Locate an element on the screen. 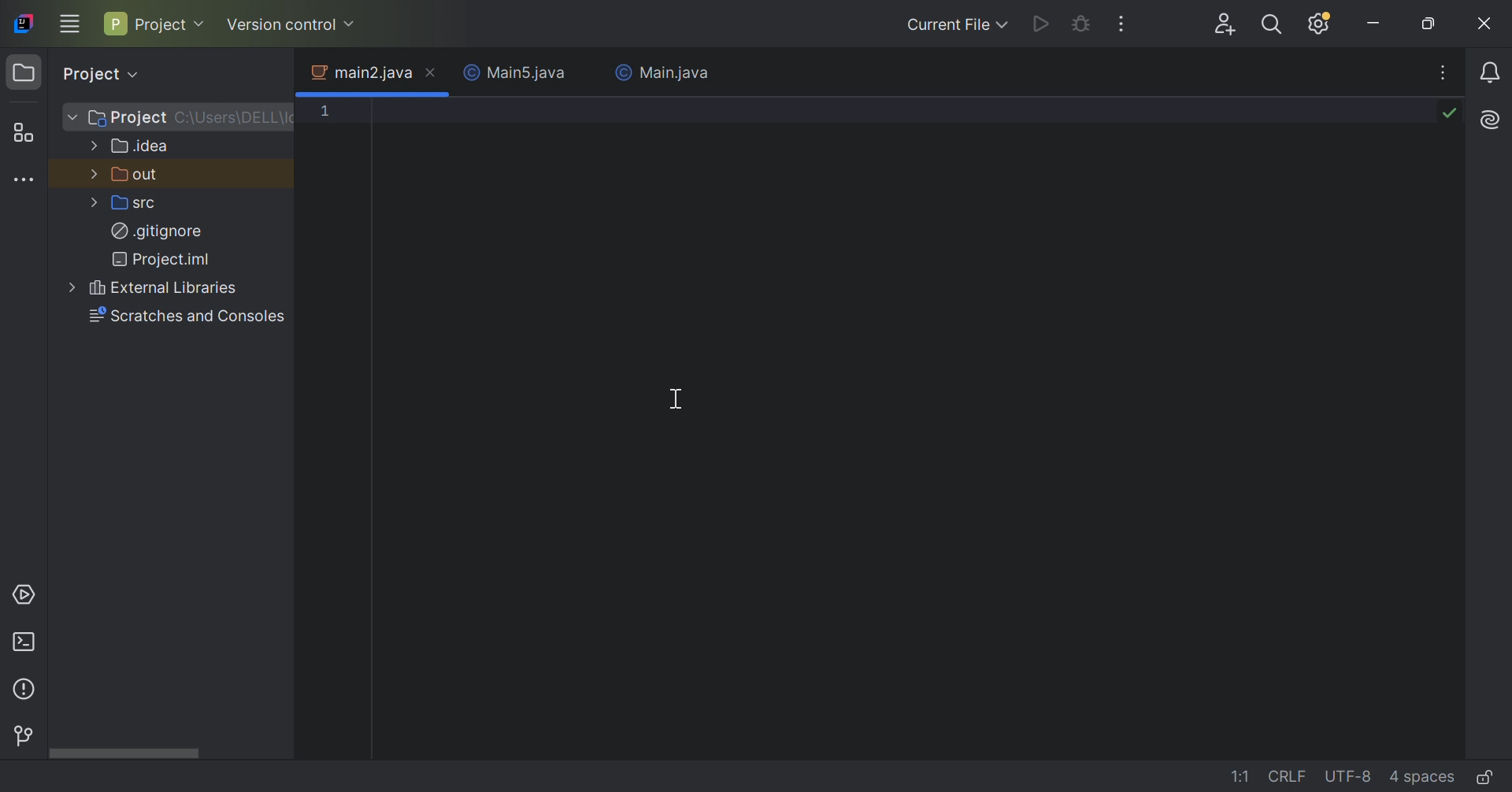 This screenshot has width=1512, height=792. CRLF is located at coordinates (1290, 775).